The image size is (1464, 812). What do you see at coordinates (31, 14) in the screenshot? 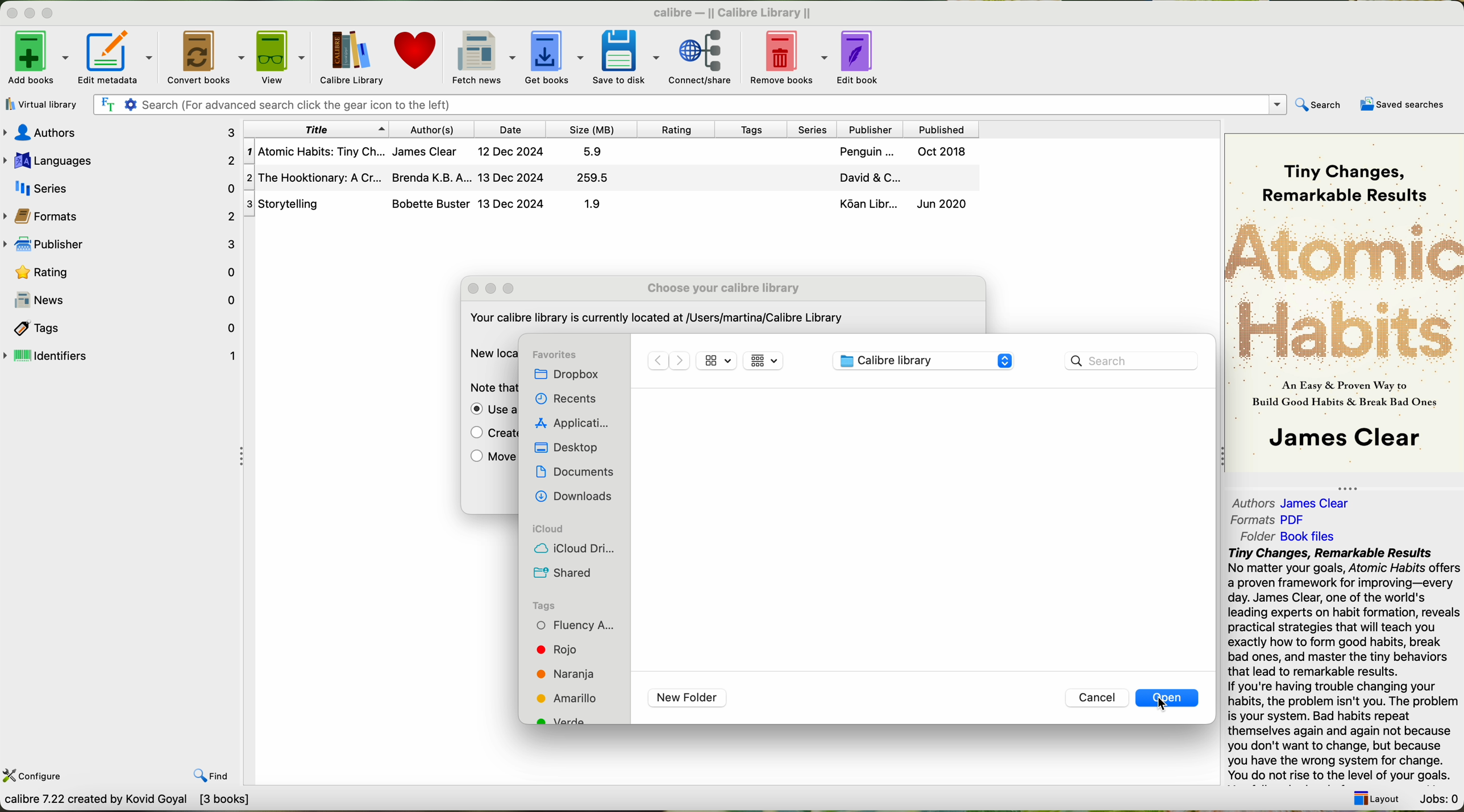
I see `Minimize` at bounding box center [31, 14].